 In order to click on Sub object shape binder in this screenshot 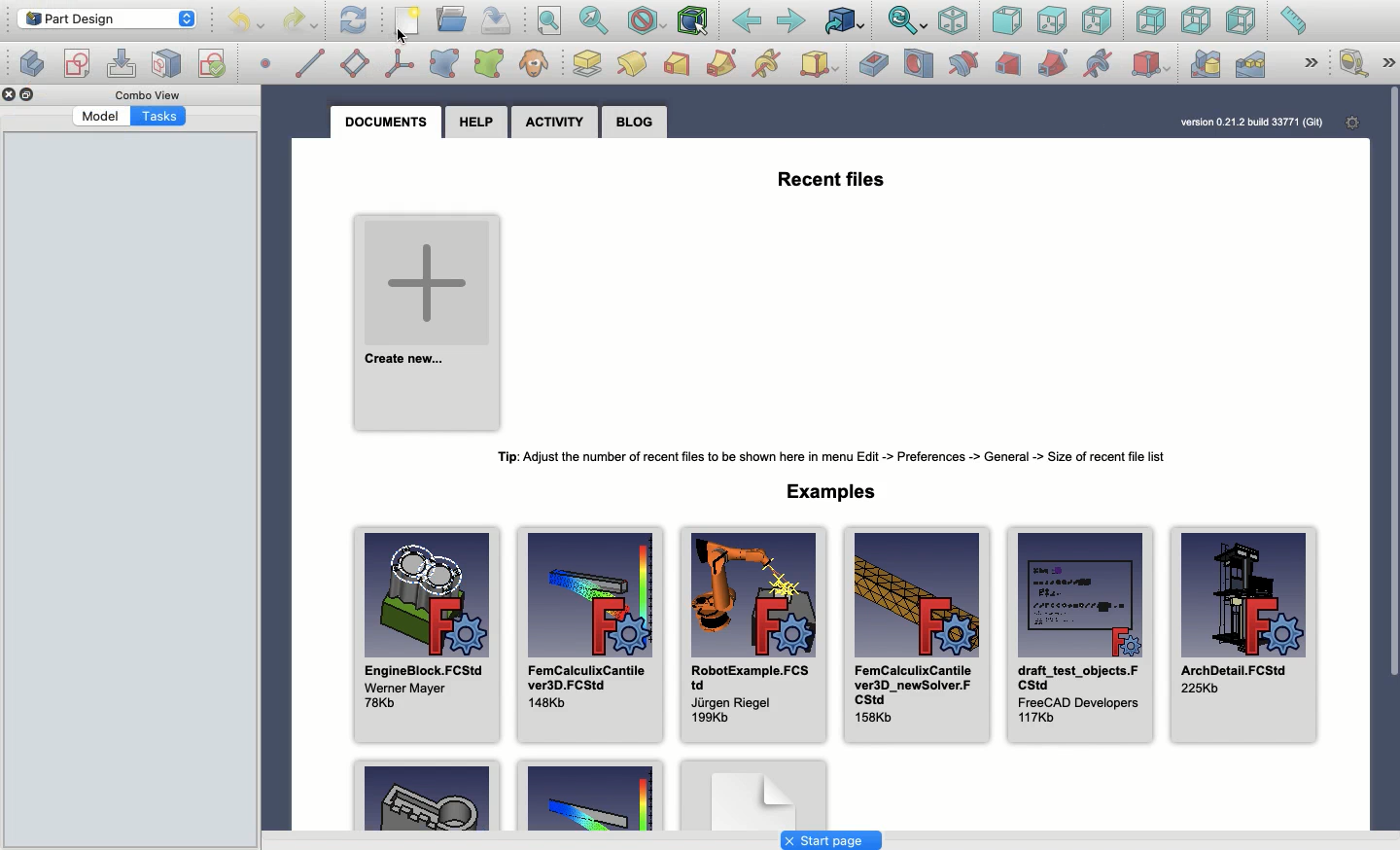, I will do `click(489, 64)`.